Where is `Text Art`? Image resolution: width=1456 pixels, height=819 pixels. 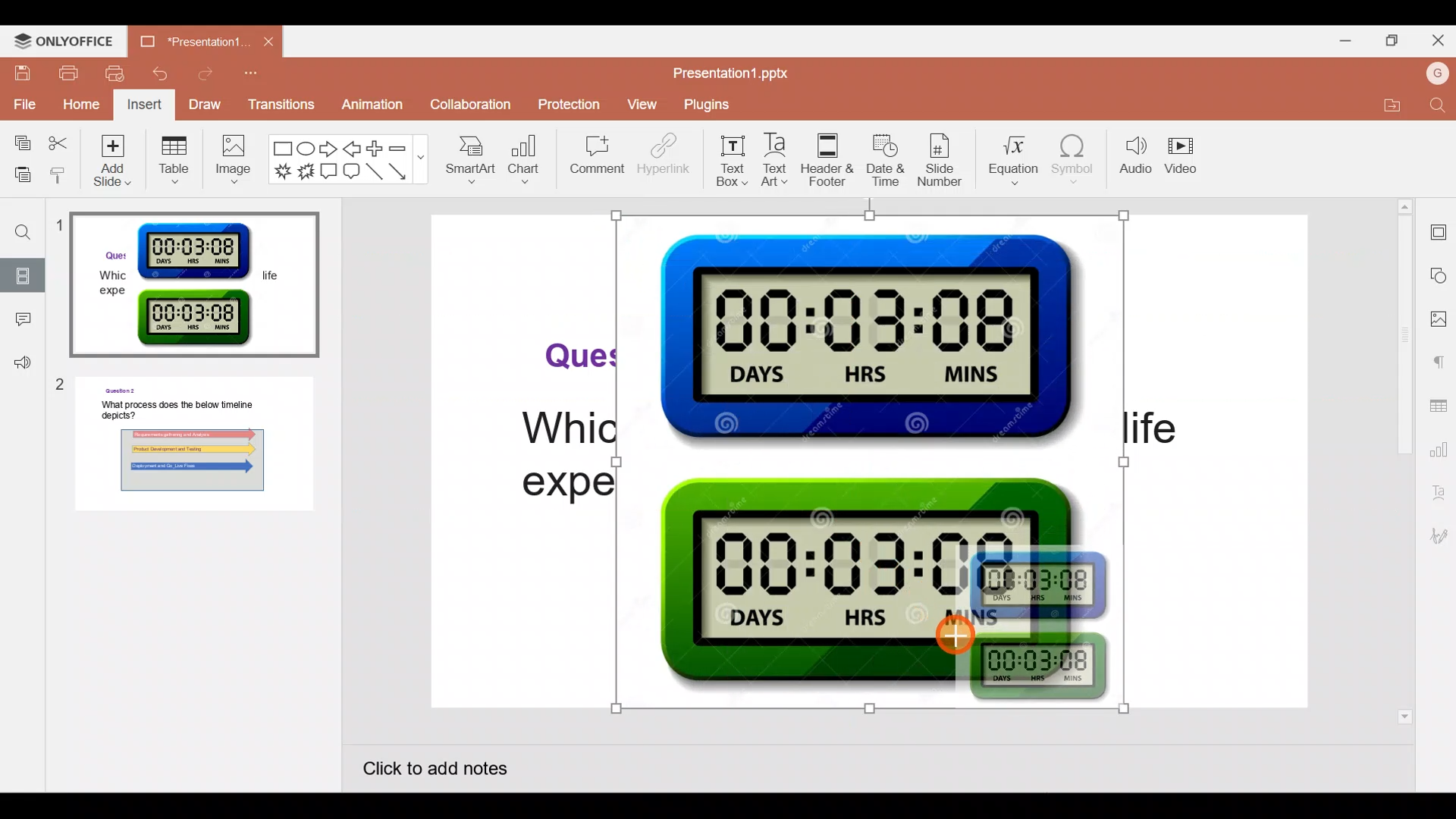
Text Art is located at coordinates (777, 160).